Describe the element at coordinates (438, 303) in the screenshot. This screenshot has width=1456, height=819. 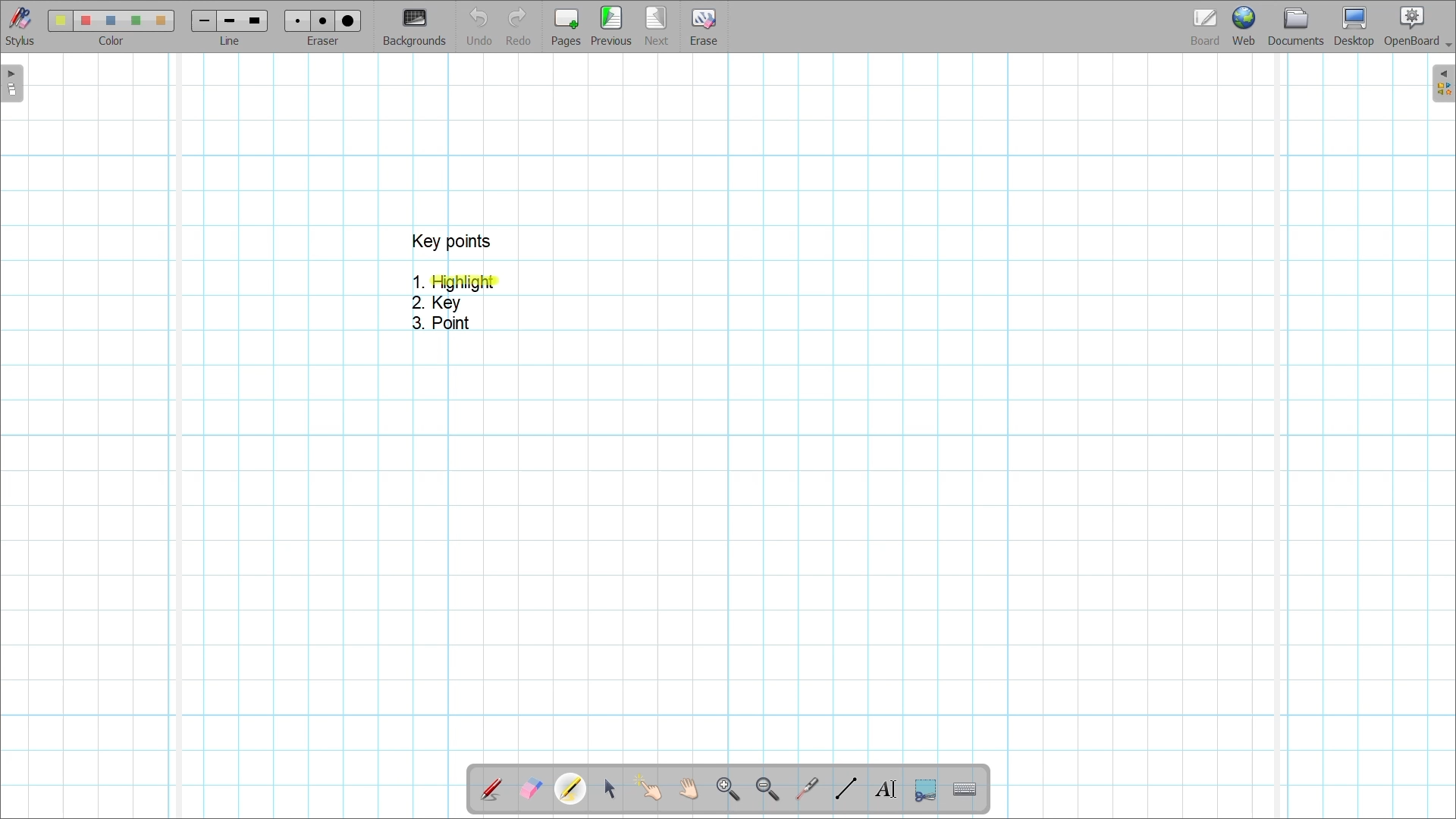
I see `2. Key` at that location.